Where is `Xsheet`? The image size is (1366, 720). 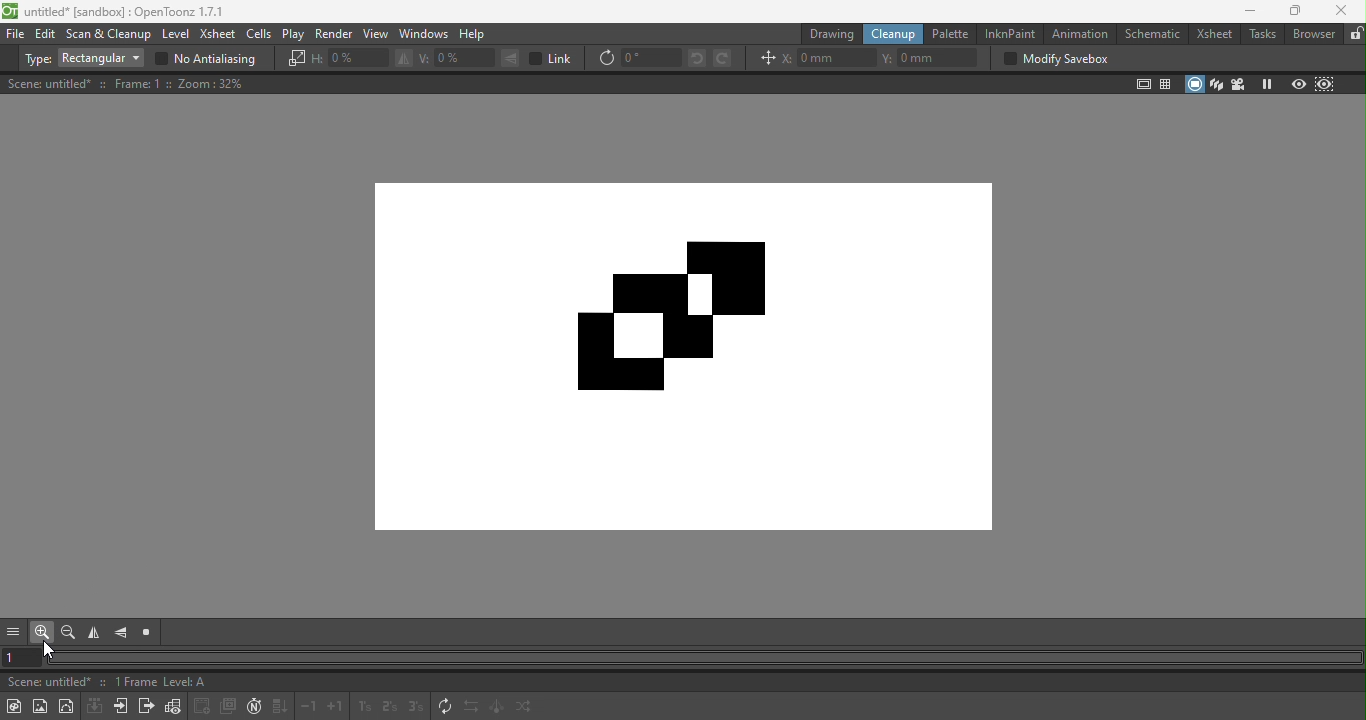 Xsheet is located at coordinates (1210, 36).